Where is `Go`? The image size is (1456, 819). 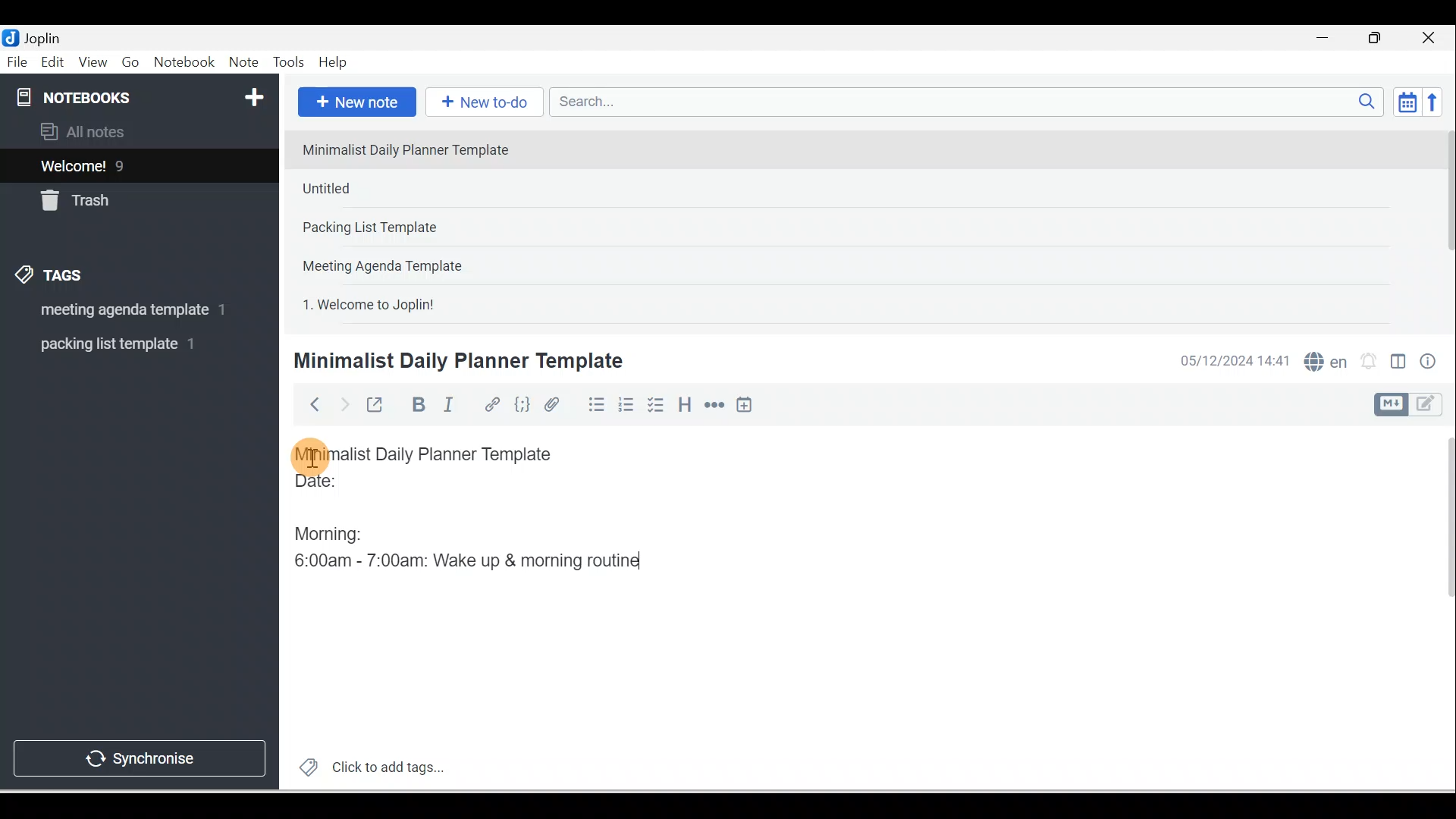 Go is located at coordinates (133, 63).